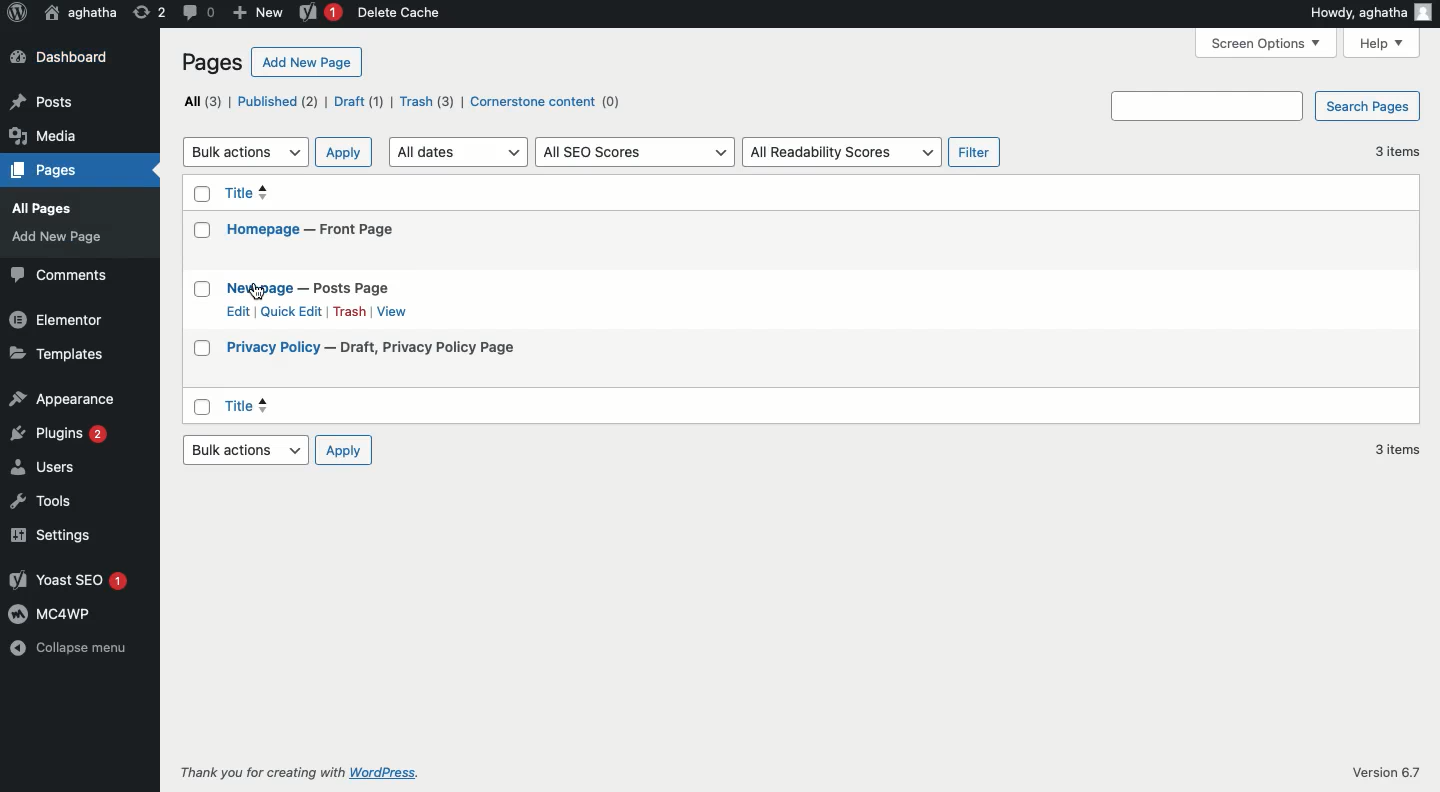 This screenshot has height=792, width=1440. Describe the element at coordinates (343, 451) in the screenshot. I see `Apply` at that location.